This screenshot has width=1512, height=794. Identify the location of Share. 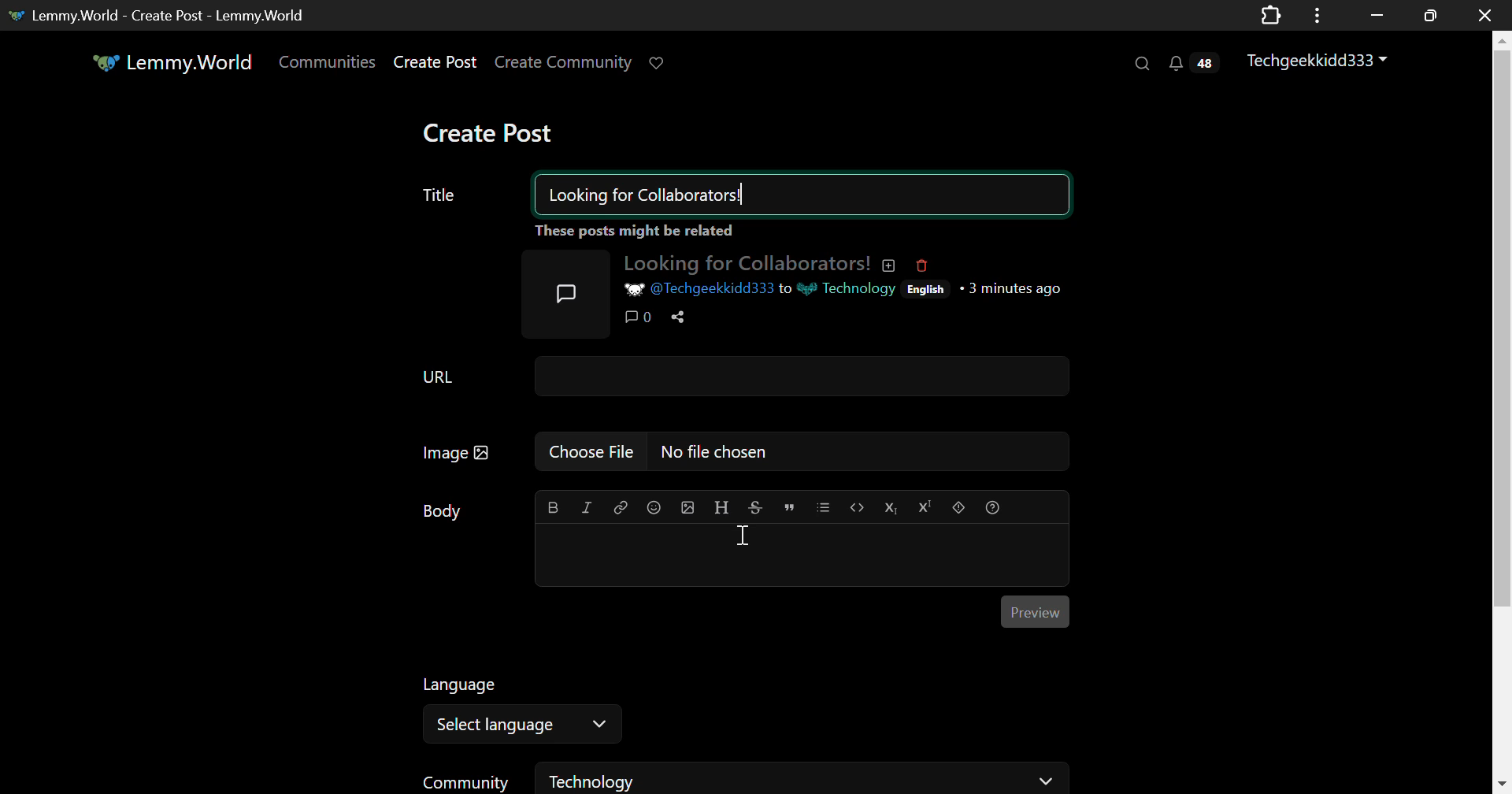
(676, 317).